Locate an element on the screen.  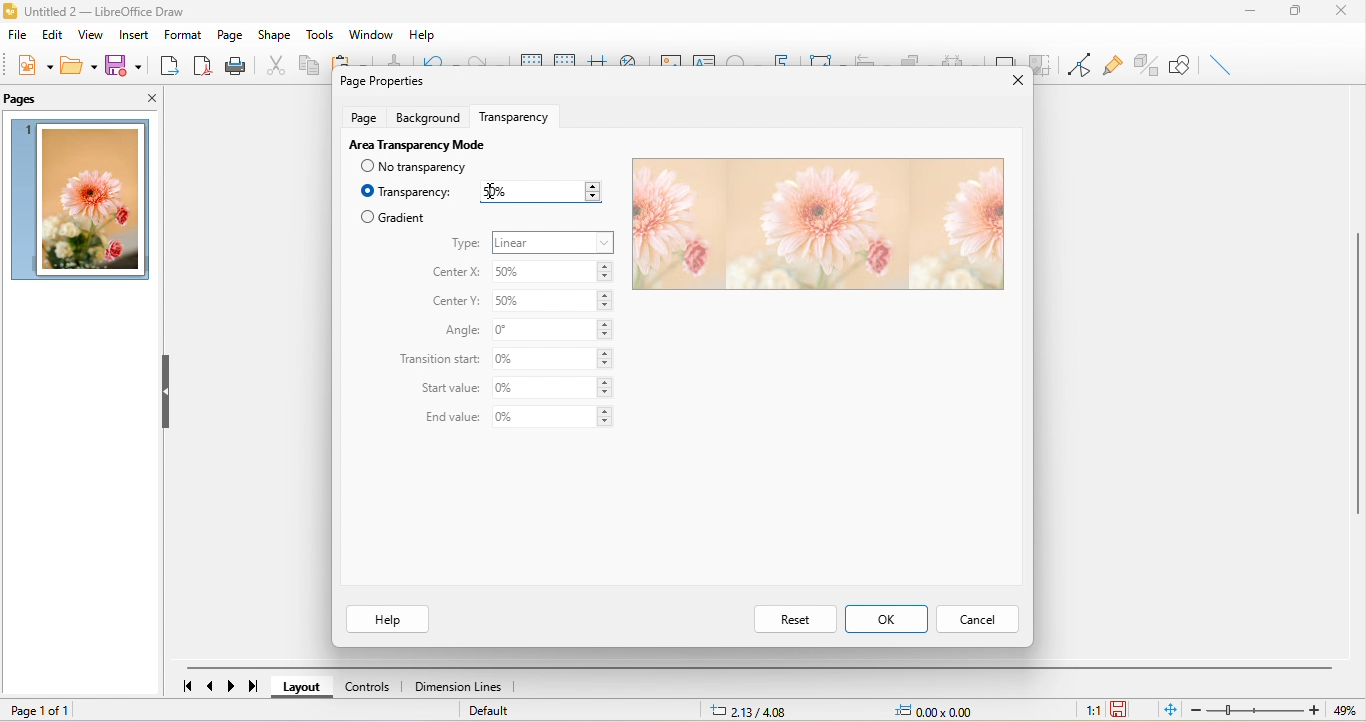
first page is located at coordinates (187, 684).